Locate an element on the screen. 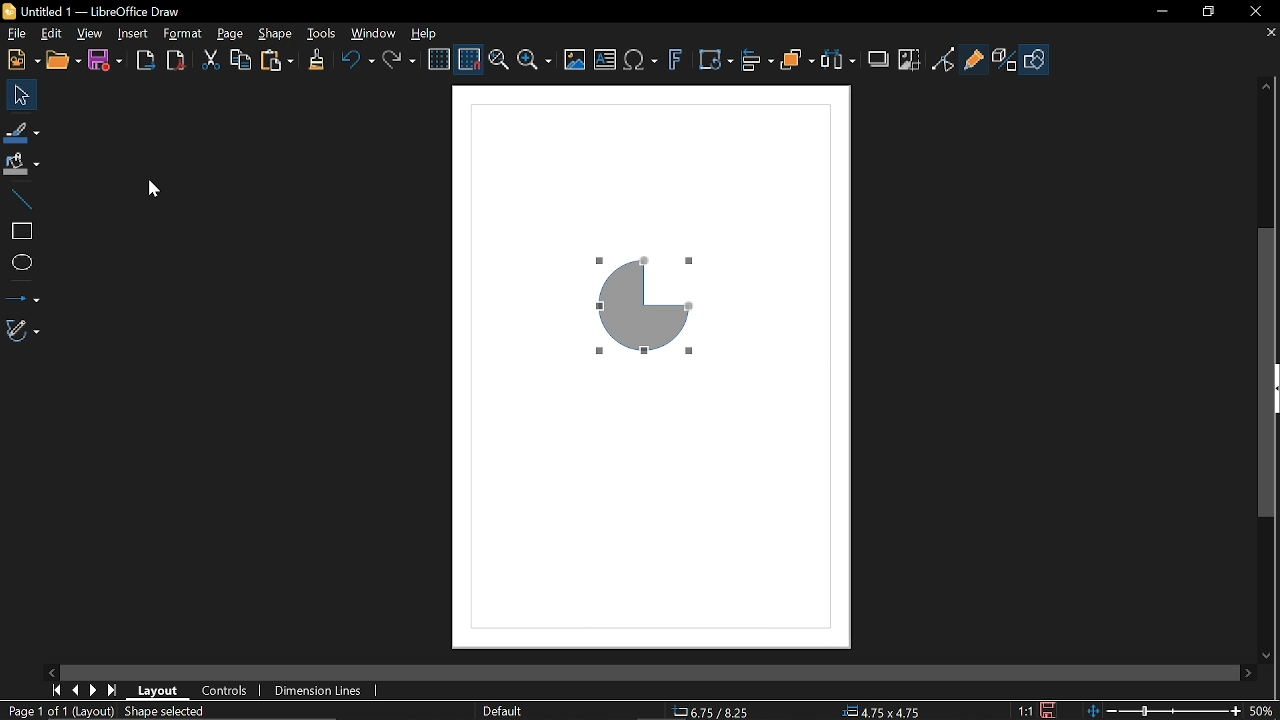  Close tab is located at coordinates (1270, 34).